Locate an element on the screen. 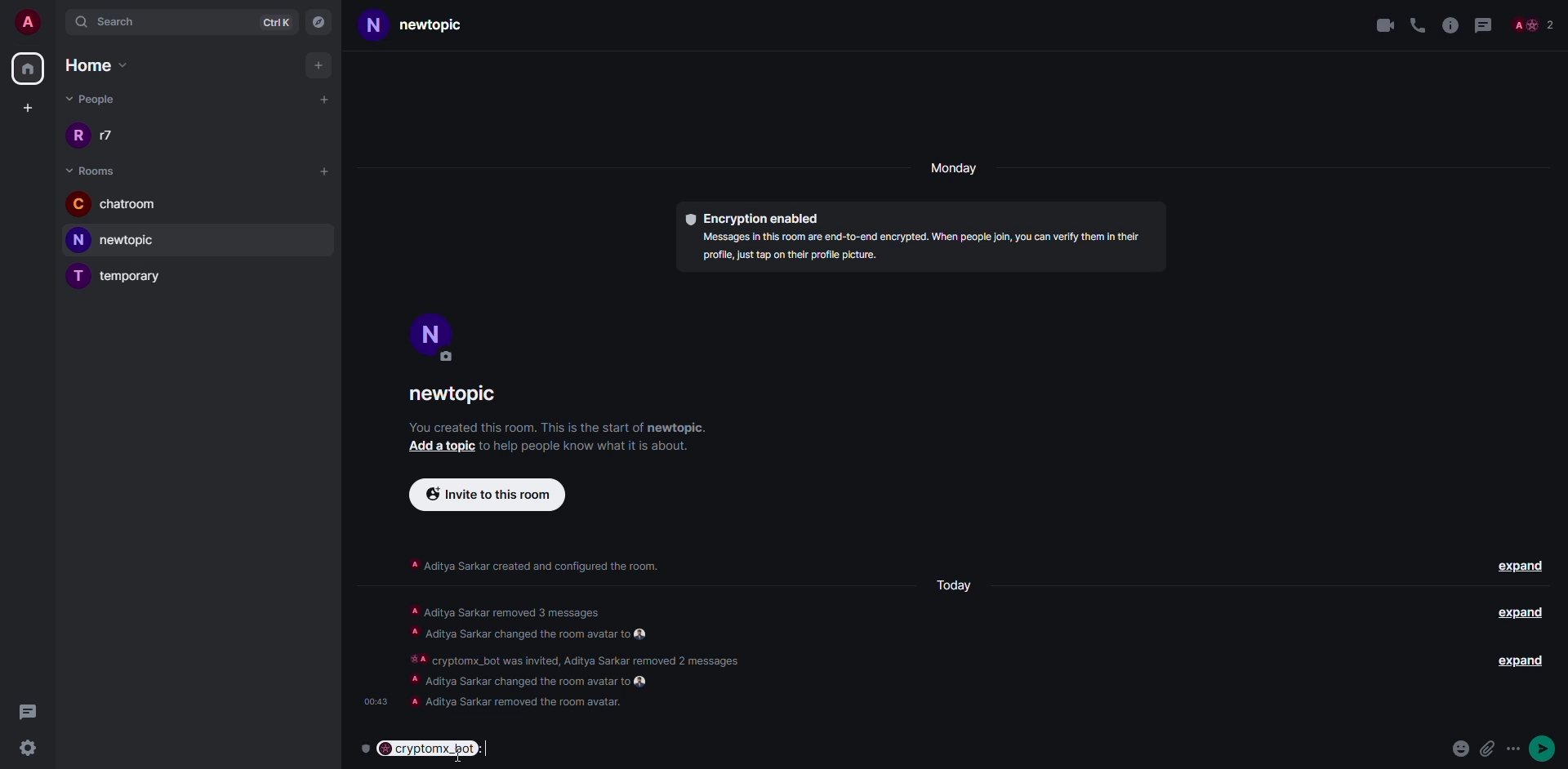 This screenshot has height=769, width=1568. expand is located at coordinates (1522, 566).